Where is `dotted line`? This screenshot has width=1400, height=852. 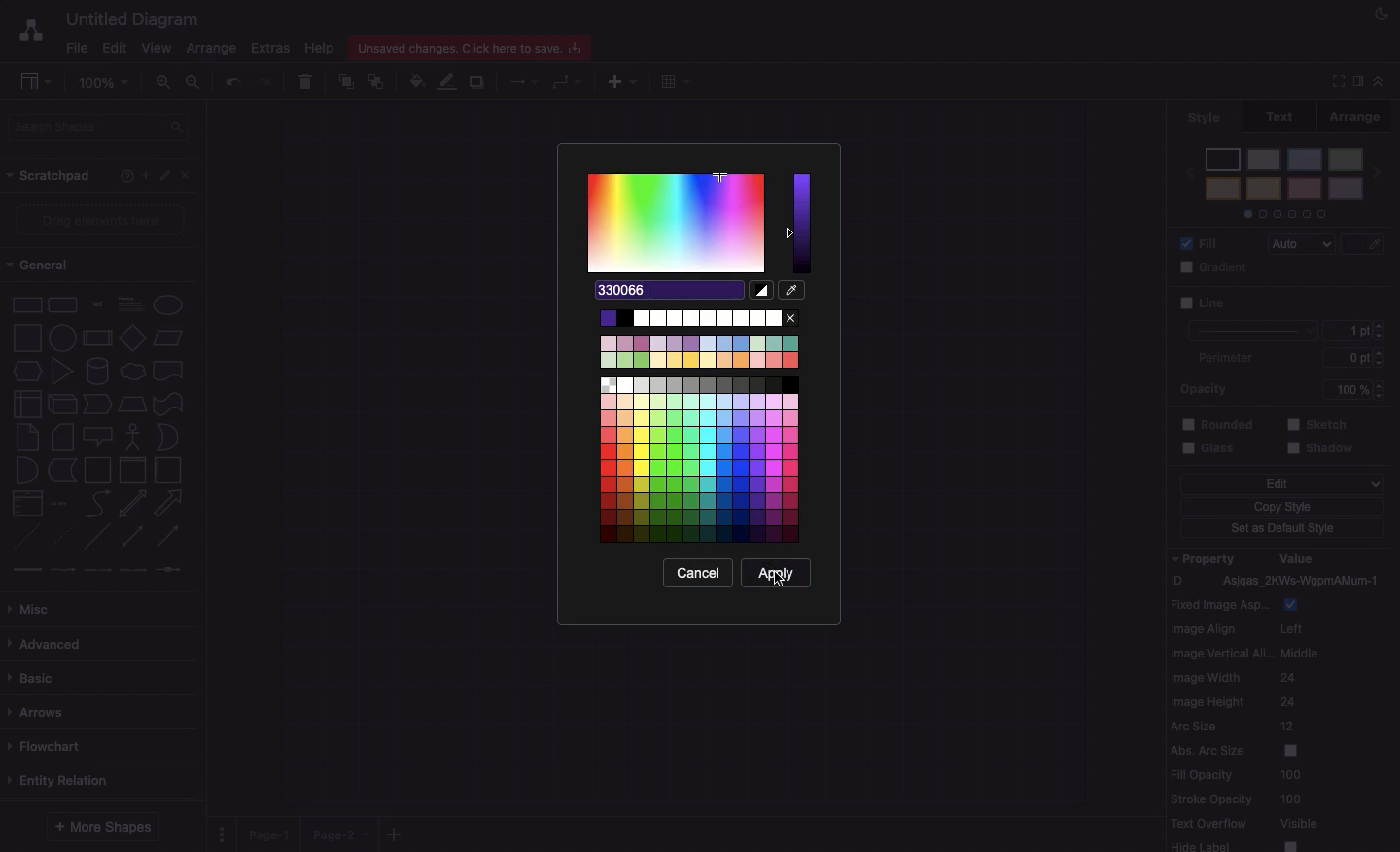
dotted line is located at coordinates (64, 539).